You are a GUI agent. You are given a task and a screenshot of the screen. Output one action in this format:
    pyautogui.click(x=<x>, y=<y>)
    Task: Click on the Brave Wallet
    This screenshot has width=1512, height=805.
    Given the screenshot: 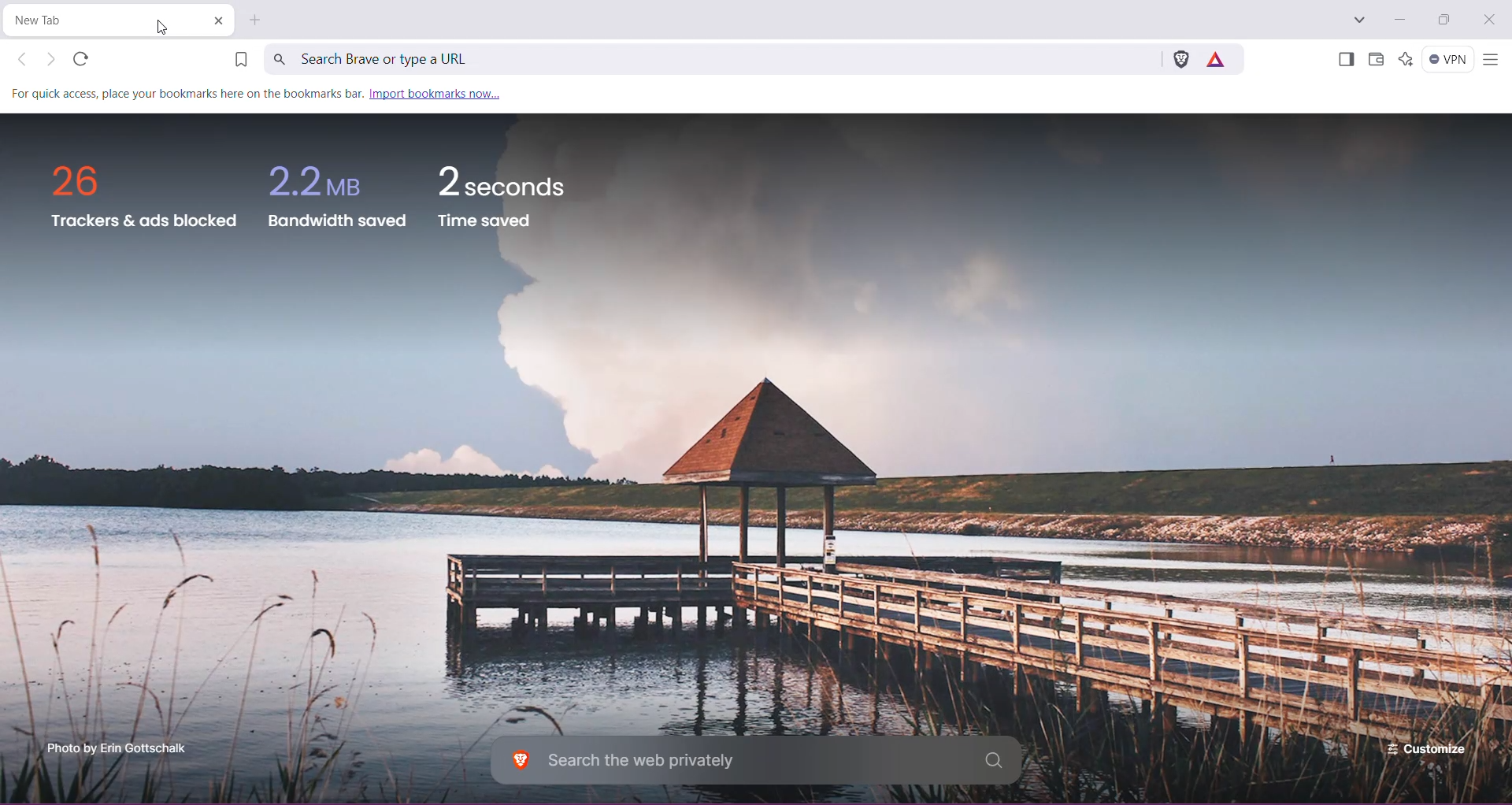 What is the action you would take?
    pyautogui.click(x=1376, y=59)
    